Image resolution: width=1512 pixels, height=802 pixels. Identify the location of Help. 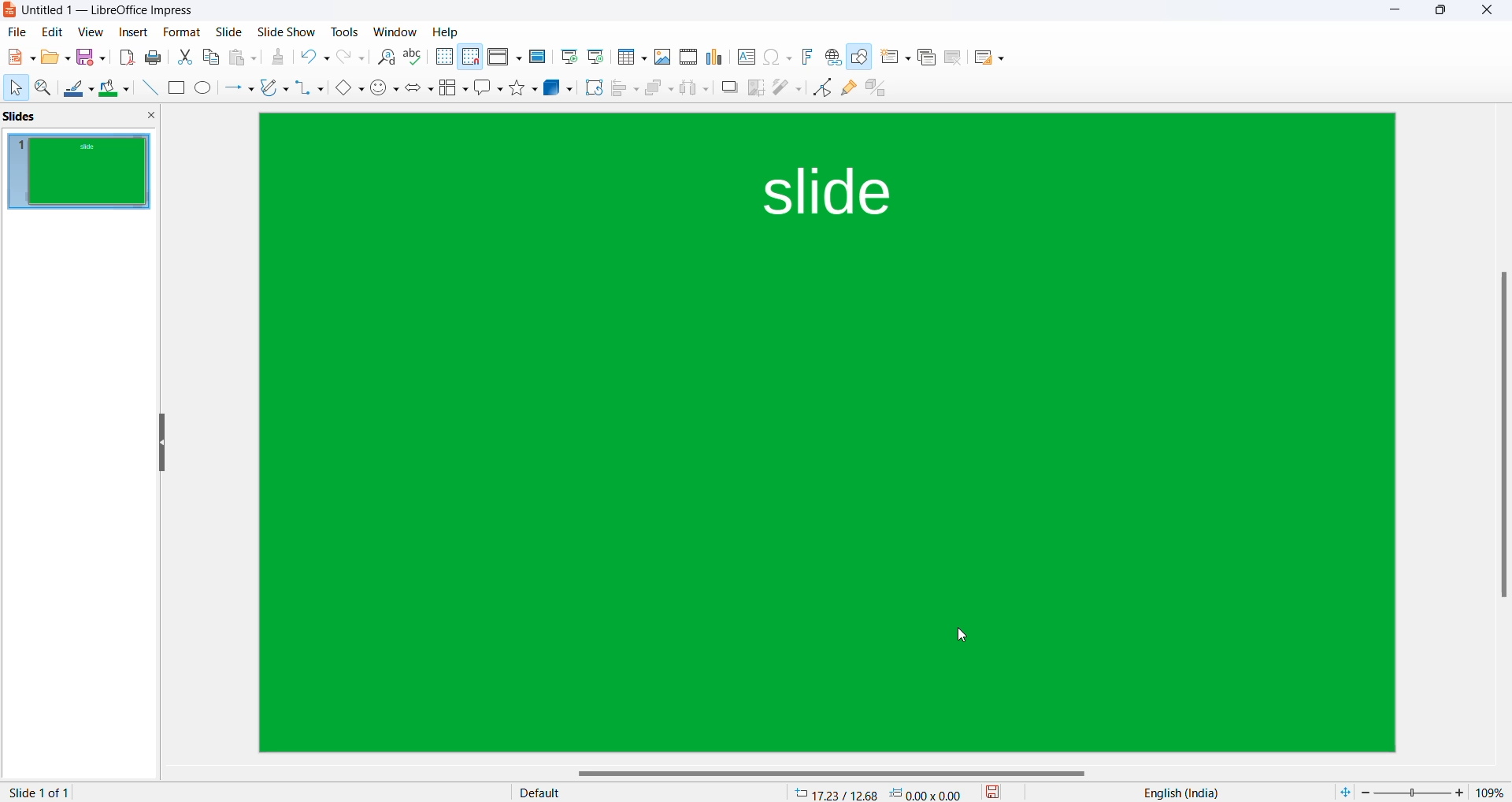
(447, 32).